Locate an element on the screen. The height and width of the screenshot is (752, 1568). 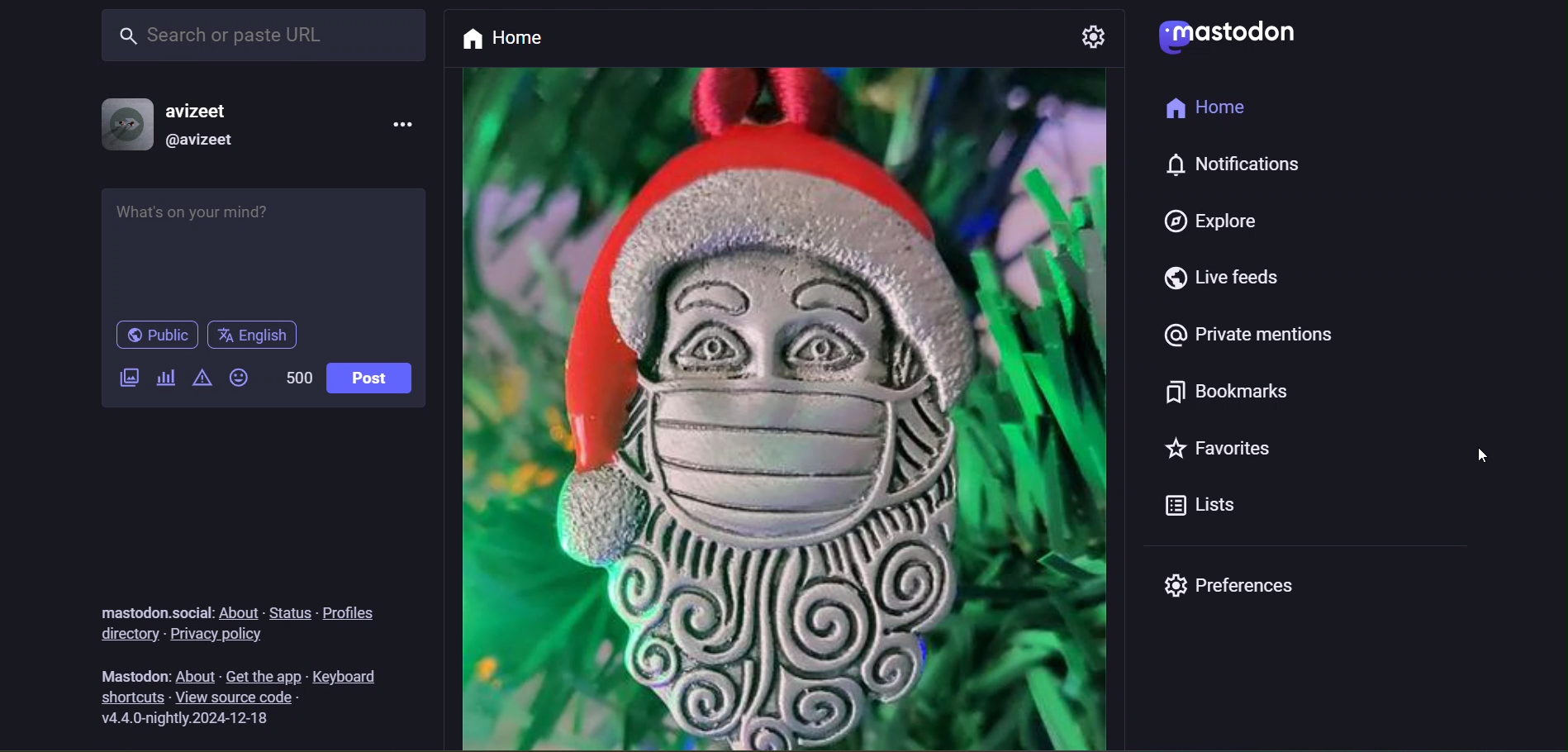
about is located at coordinates (195, 674).